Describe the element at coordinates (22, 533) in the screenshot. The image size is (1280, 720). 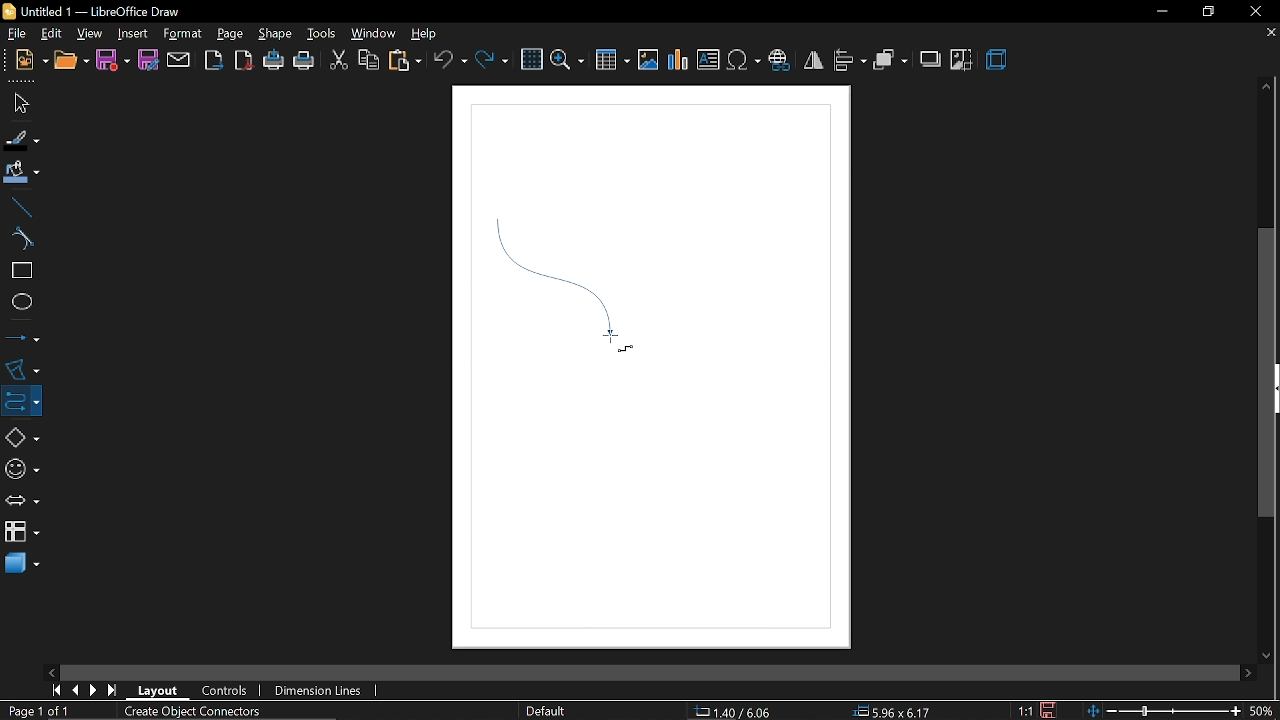
I see `flowchart` at that location.